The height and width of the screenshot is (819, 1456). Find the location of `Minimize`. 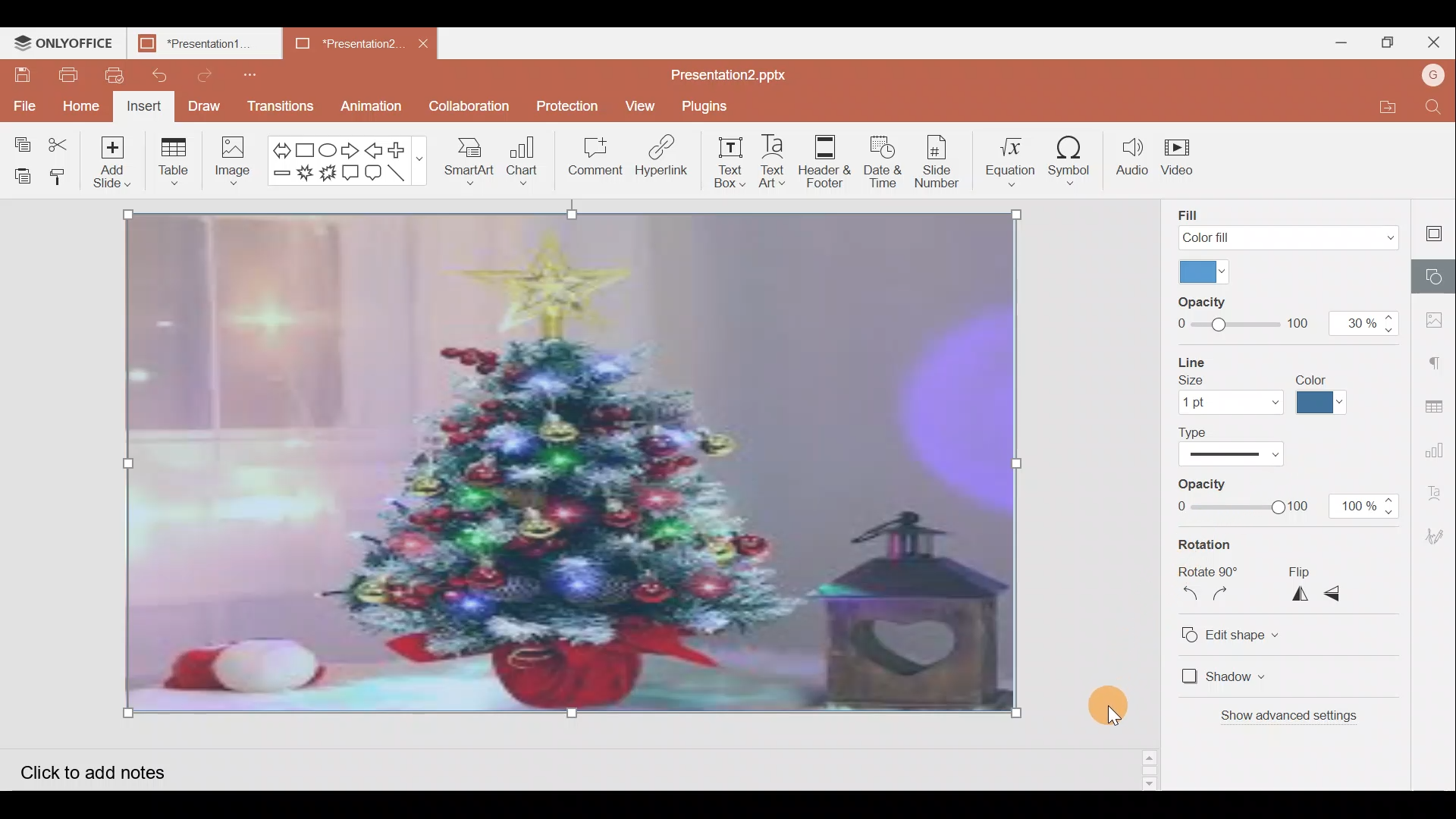

Minimize is located at coordinates (1341, 42).